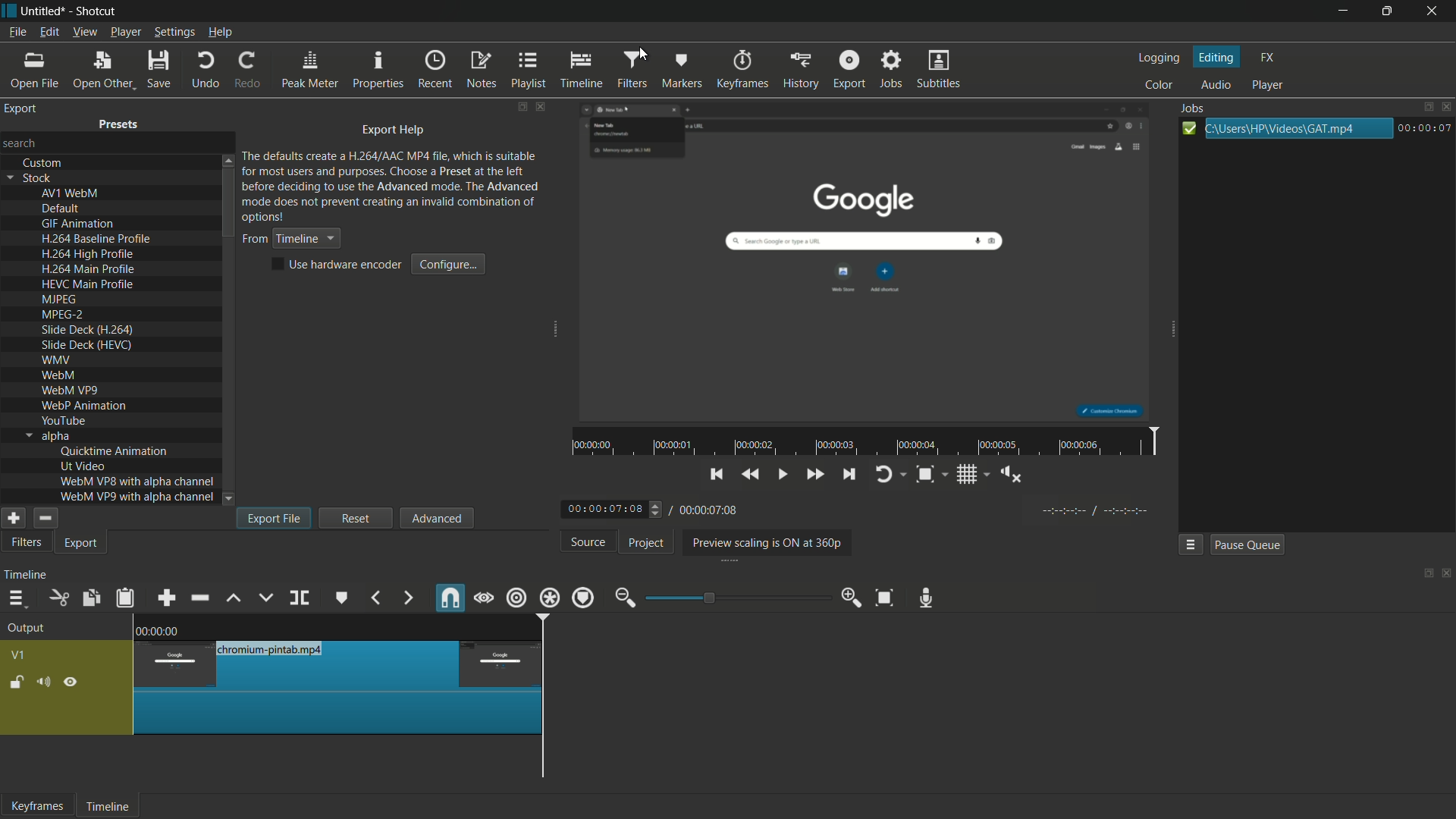  I want to click on ut video, so click(24, 543).